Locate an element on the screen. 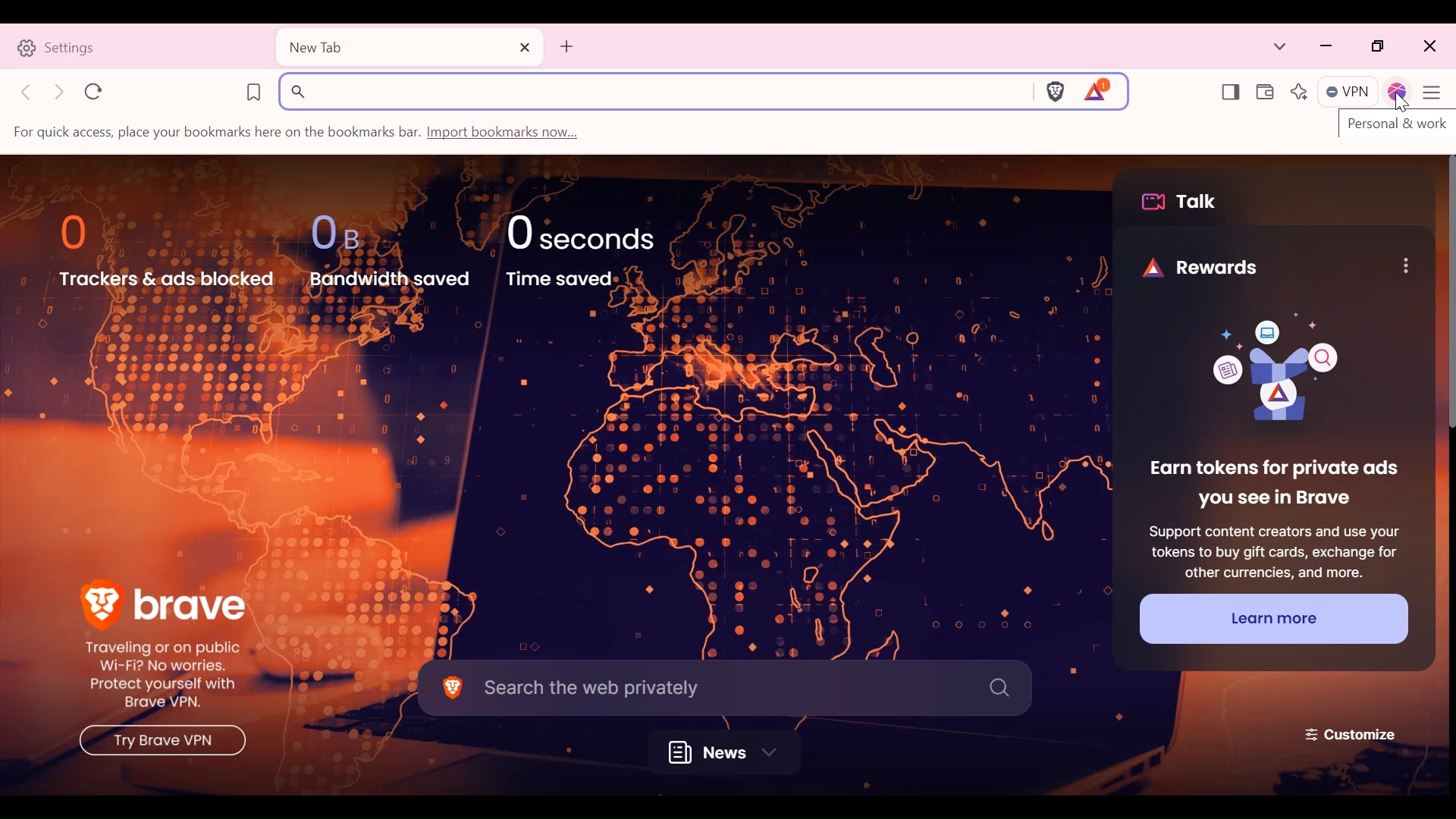 This screenshot has width=1456, height=819. Minimize is located at coordinates (1327, 47).